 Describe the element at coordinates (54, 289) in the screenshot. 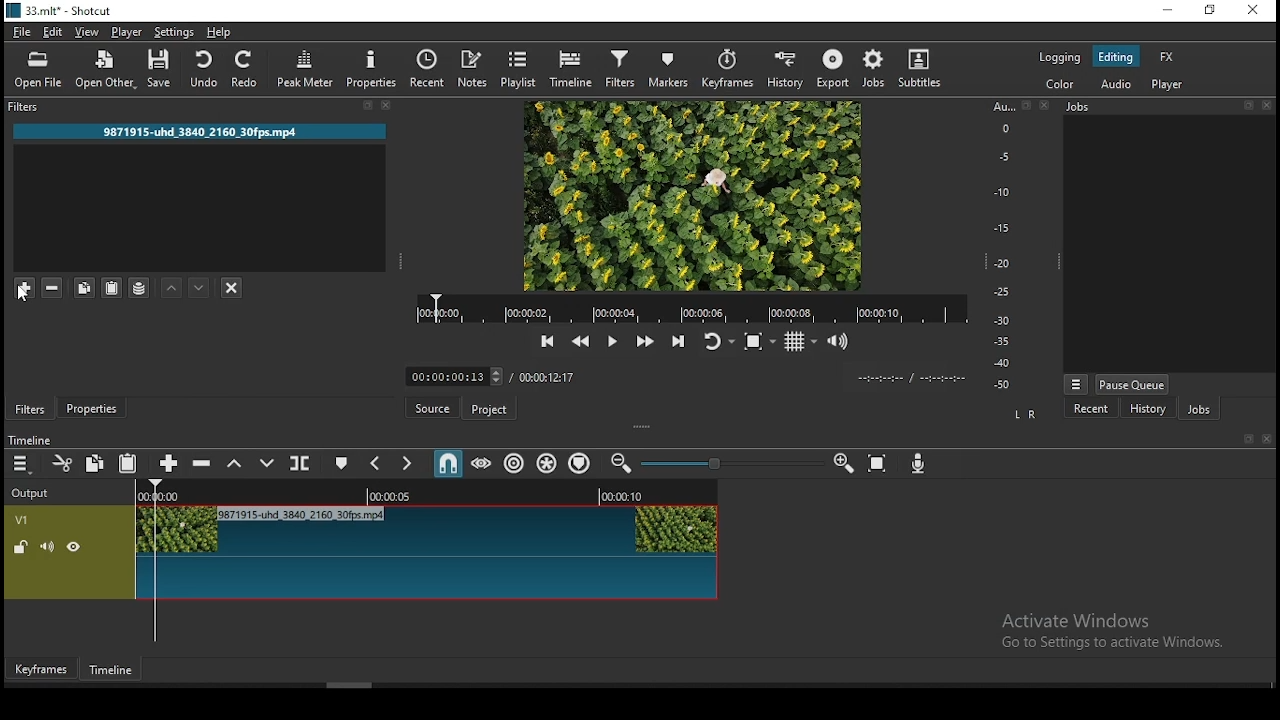

I see `remove selected filters` at that location.